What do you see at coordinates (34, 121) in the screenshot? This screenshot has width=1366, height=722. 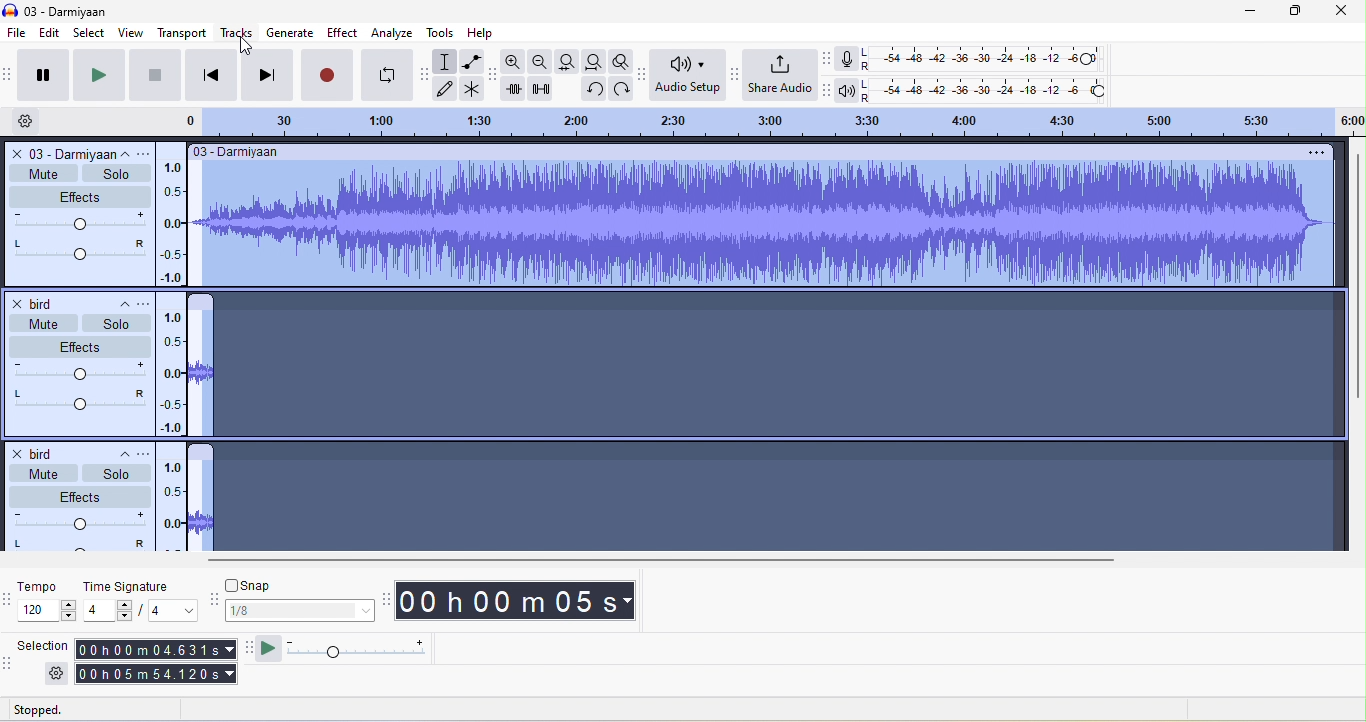 I see `timeline option` at bounding box center [34, 121].